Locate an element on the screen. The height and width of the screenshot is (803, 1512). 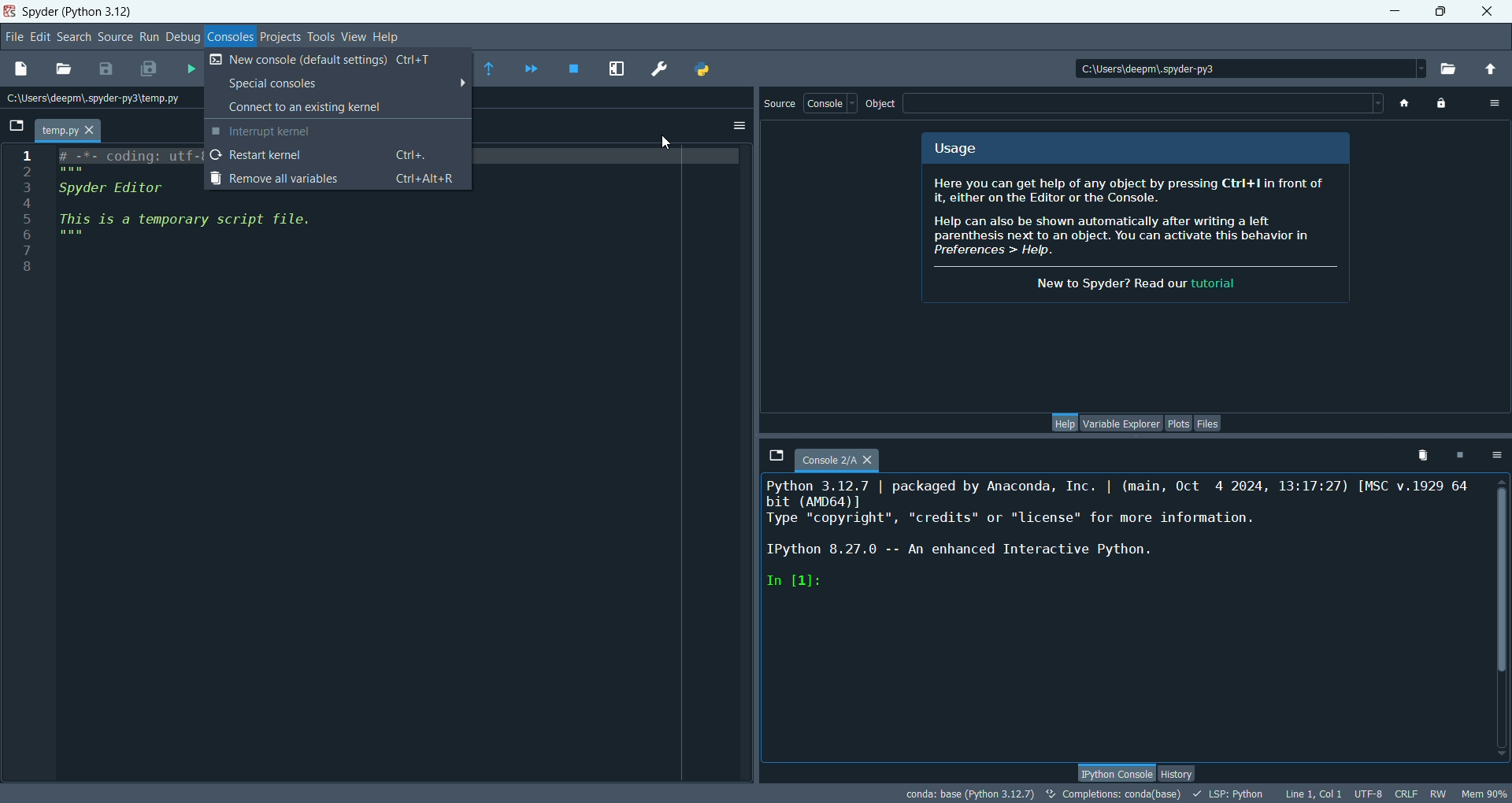
IPython console is located at coordinates (1110, 774).